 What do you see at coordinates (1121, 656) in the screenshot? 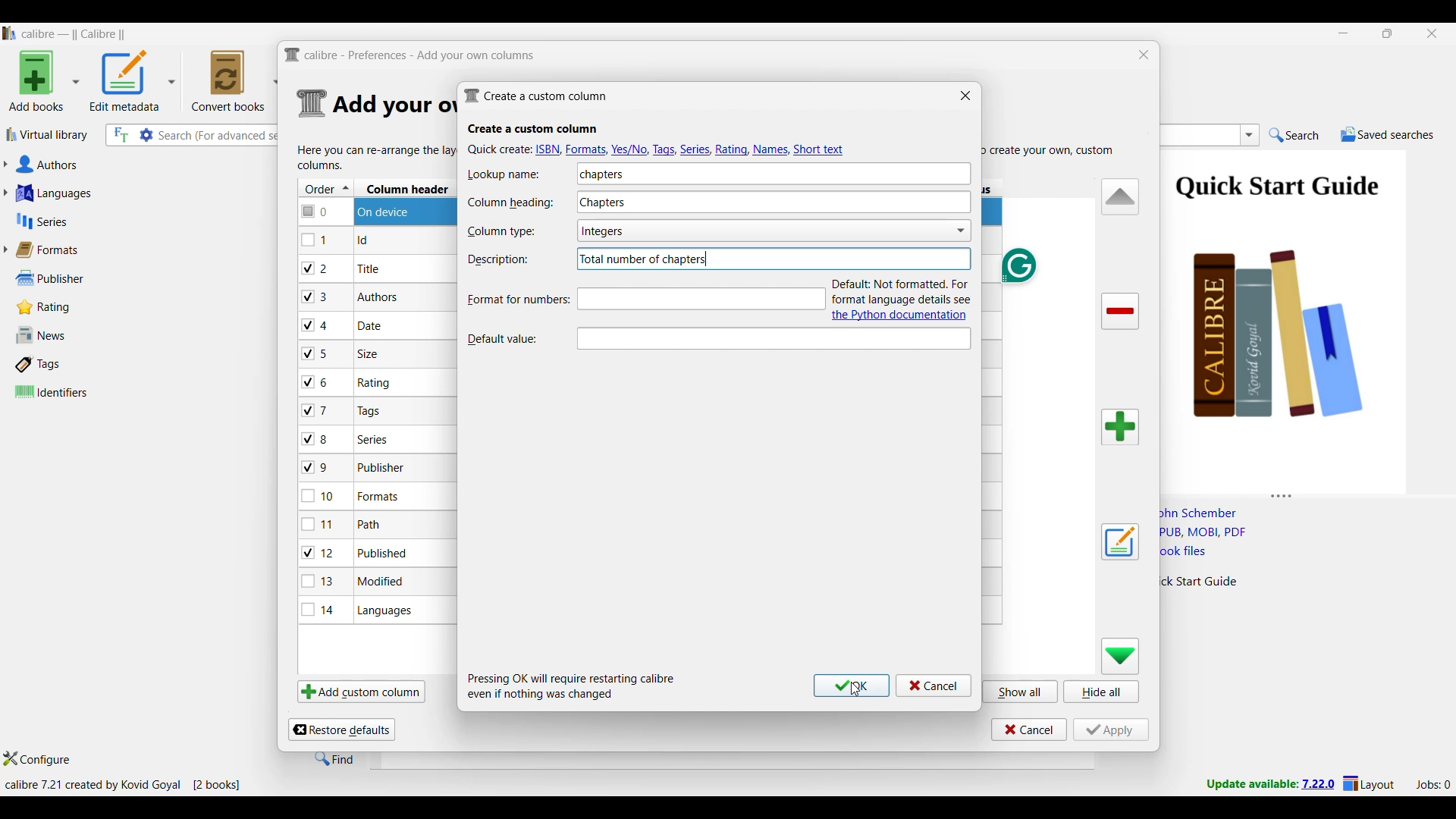
I see `Move row down` at bounding box center [1121, 656].